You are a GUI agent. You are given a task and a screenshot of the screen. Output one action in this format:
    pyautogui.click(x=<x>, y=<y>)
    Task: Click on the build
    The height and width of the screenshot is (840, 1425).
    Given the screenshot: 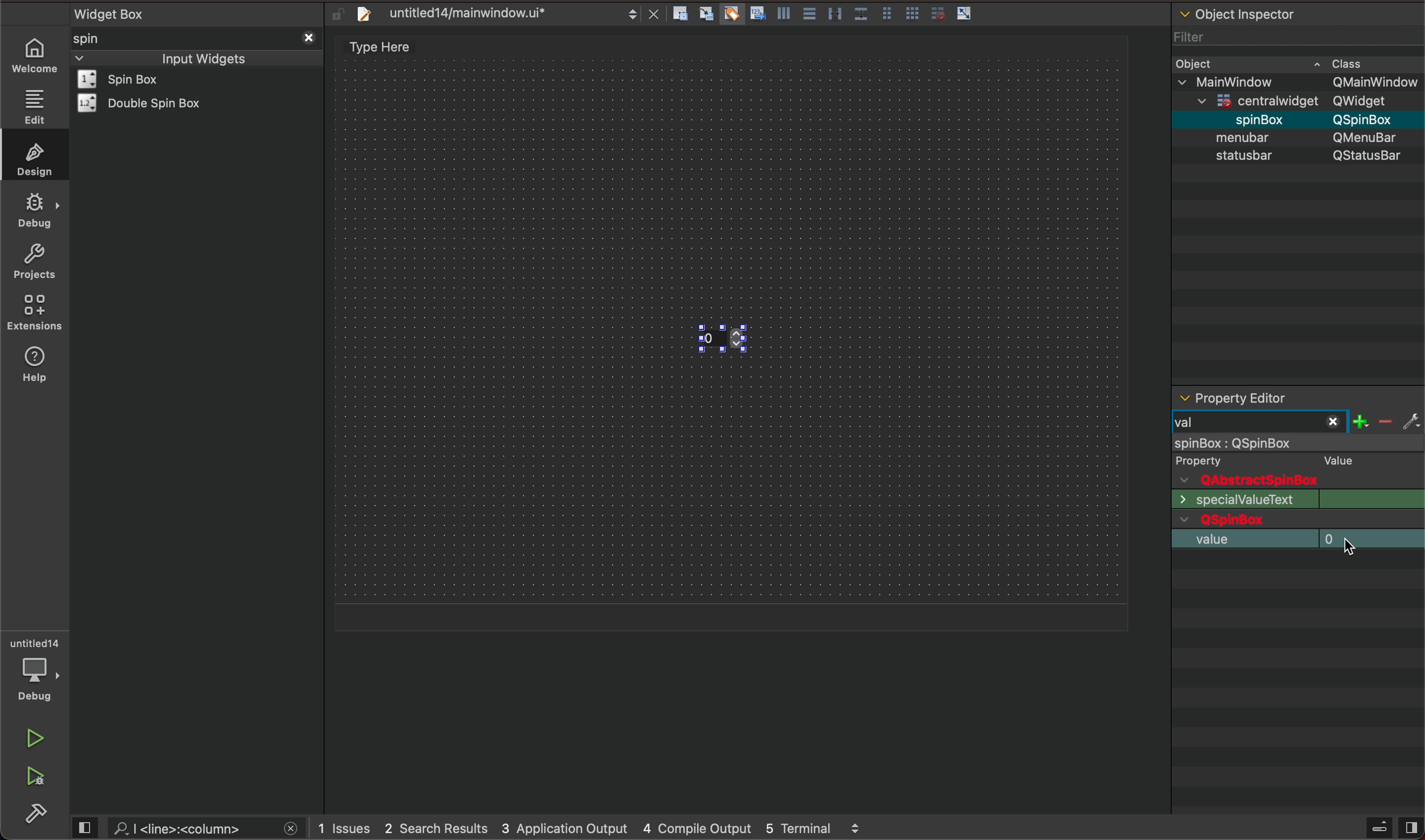 What is the action you would take?
    pyautogui.click(x=38, y=814)
    